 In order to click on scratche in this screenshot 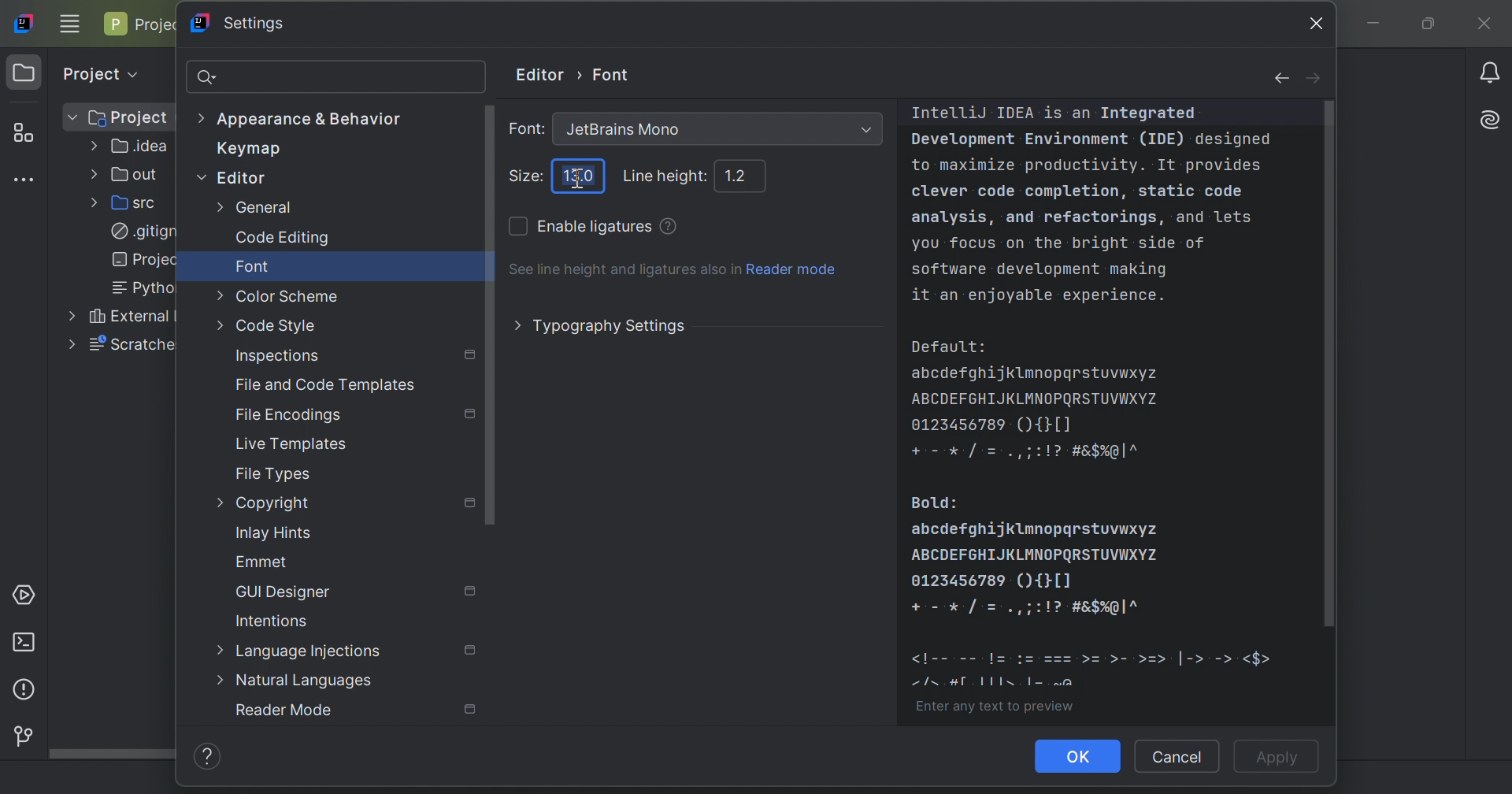, I will do `click(121, 347)`.